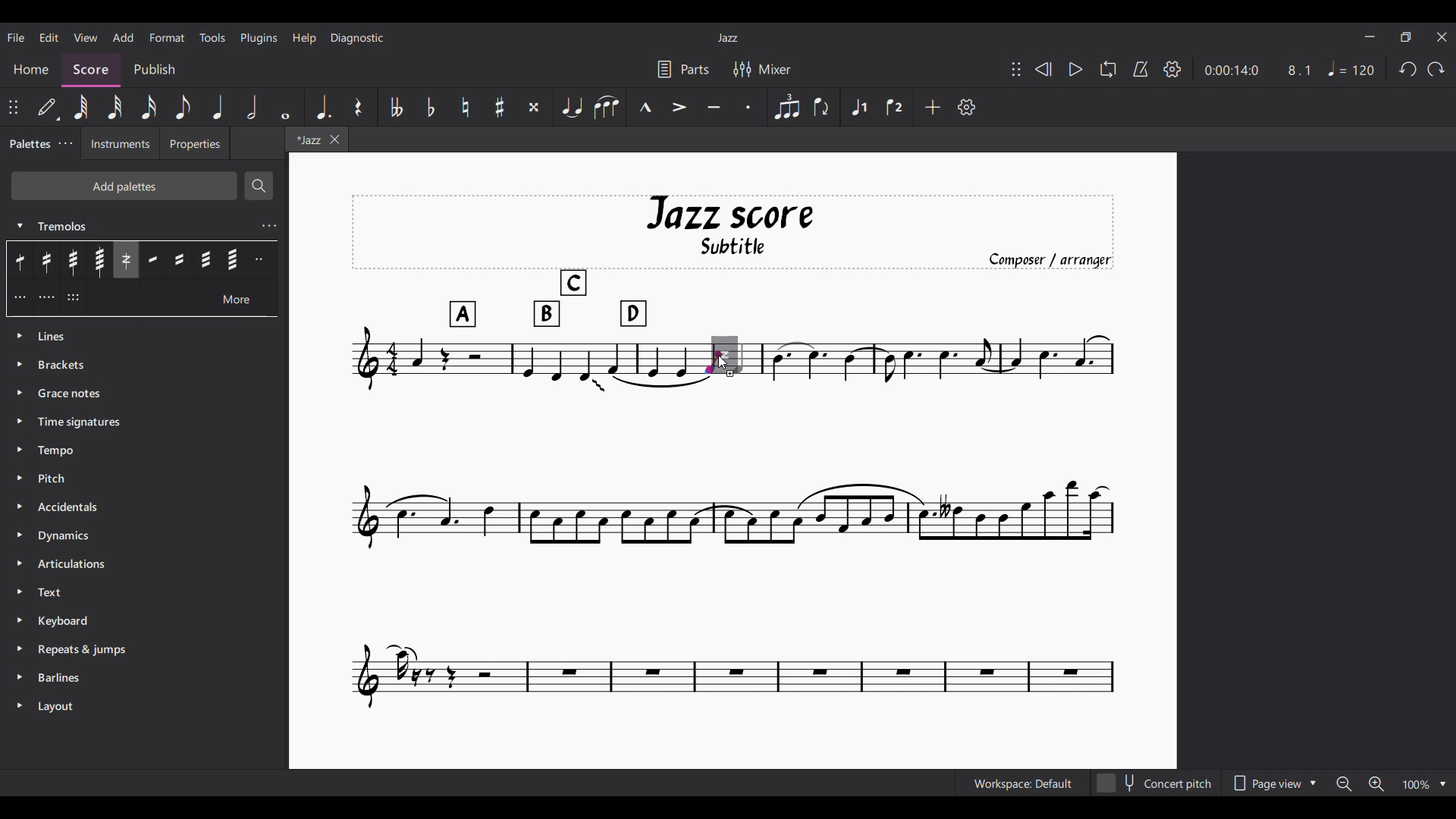 Image resolution: width=1456 pixels, height=819 pixels. I want to click on Voice 1, so click(858, 106).